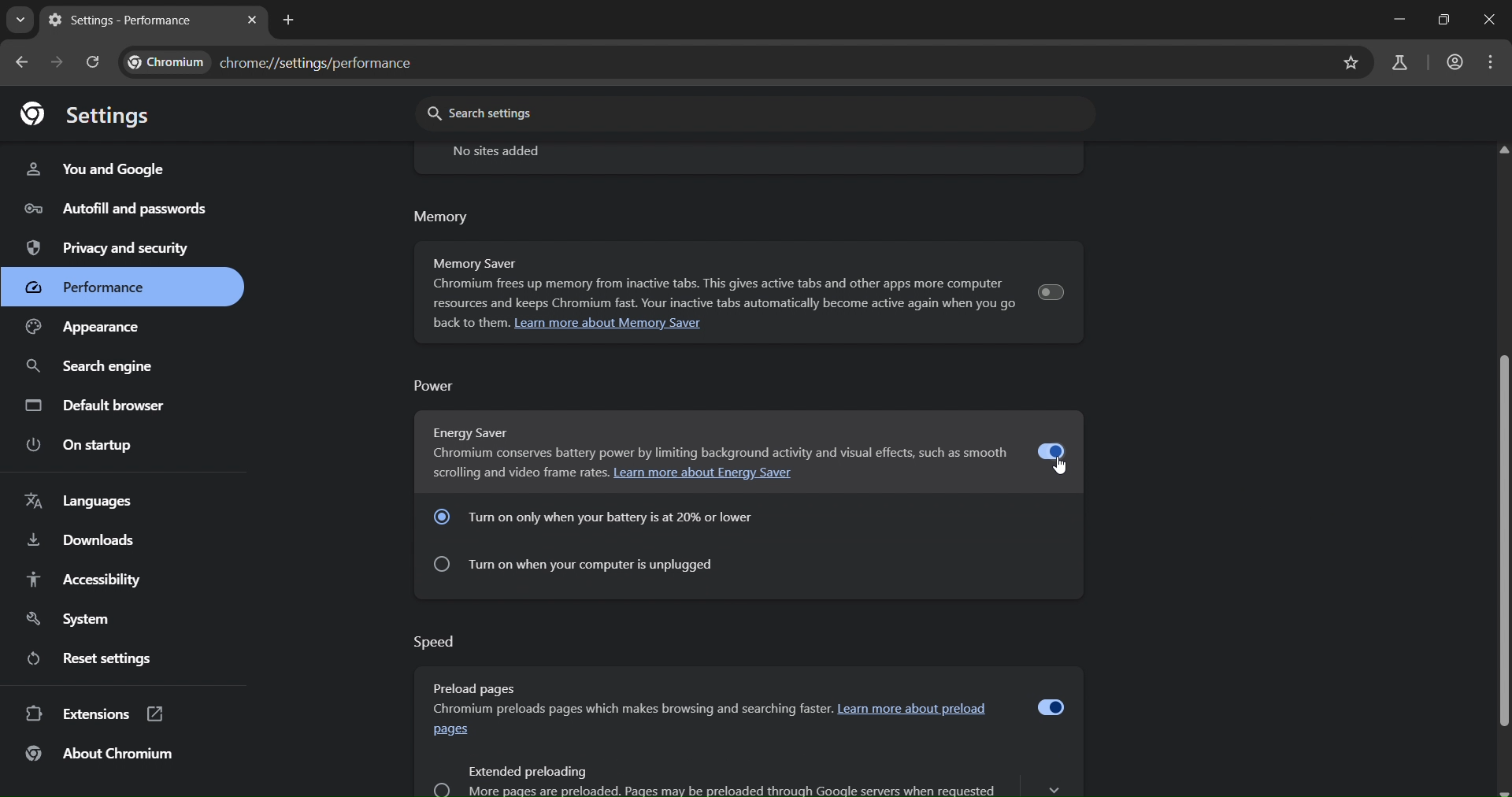 The image size is (1512, 797). What do you see at coordinates (1050, 449) in the screenshot?
I see `toggle energy saver` at bounding box center [1050, 449].